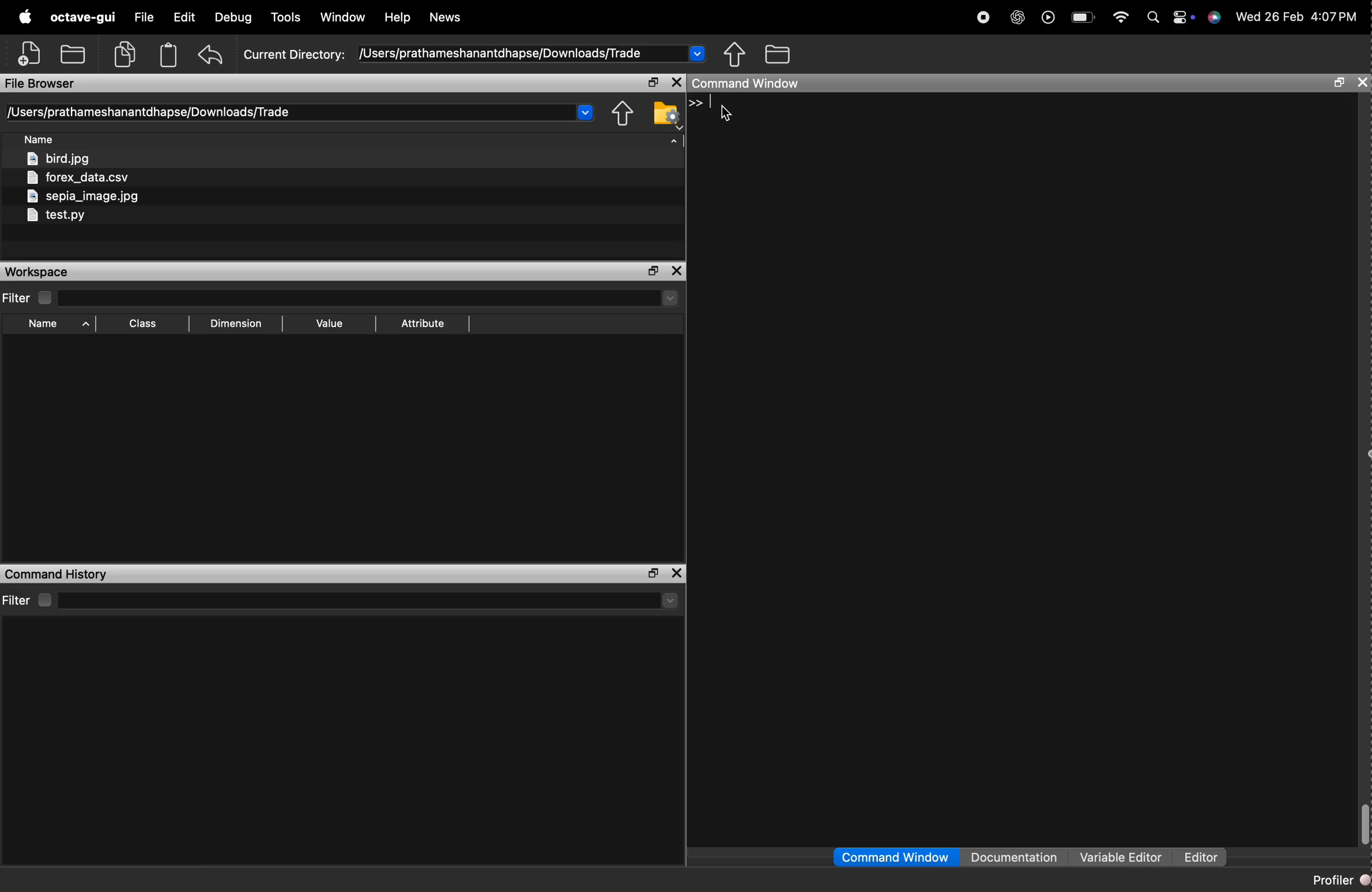  I want to click on News, so click(448, 17).